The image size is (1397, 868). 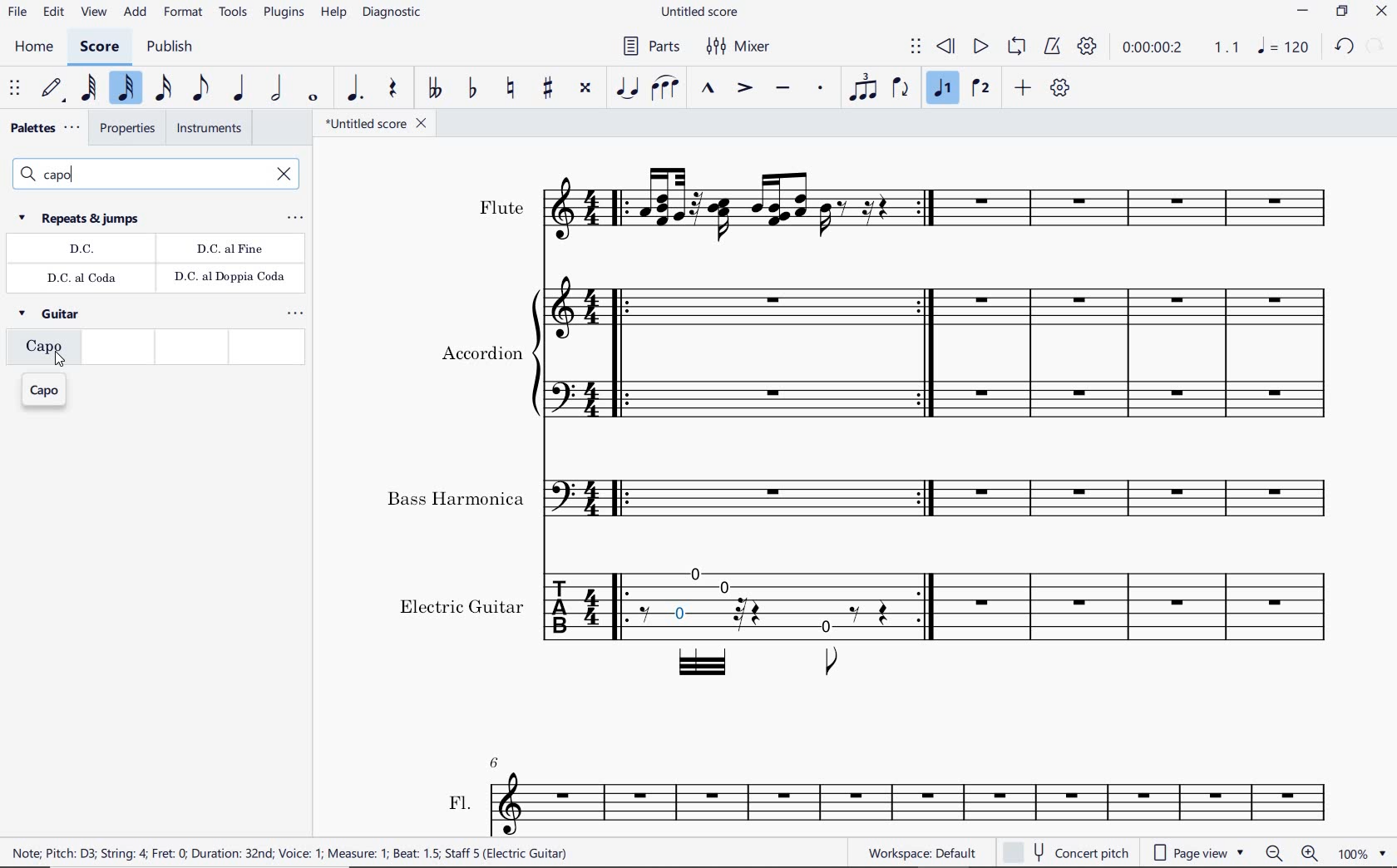 I want to click on undo, so click(x=1342, y=47).